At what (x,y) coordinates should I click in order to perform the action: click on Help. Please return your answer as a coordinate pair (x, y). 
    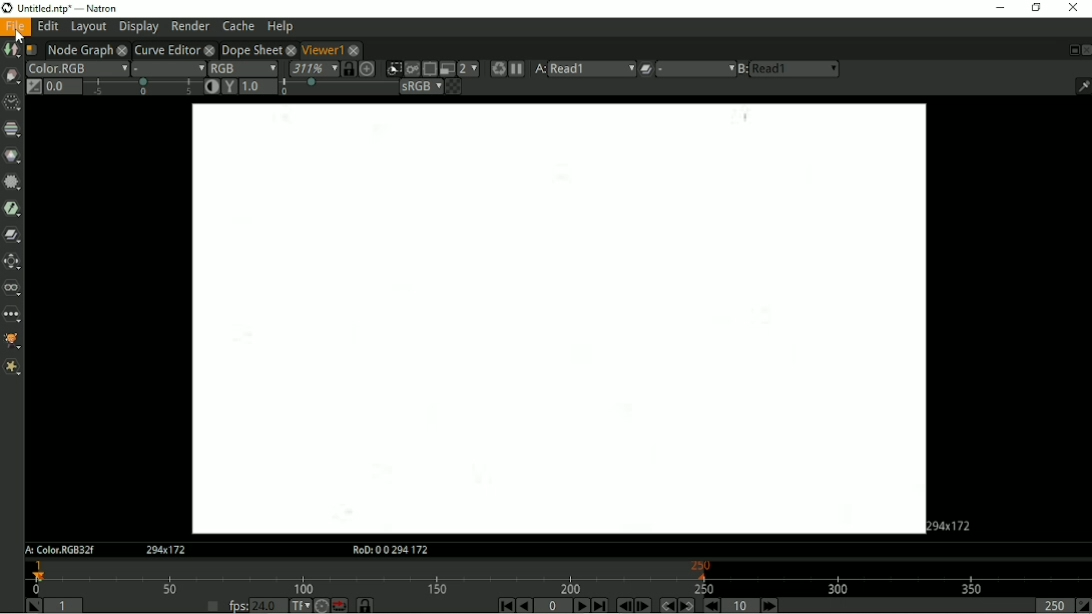
    Looking at the image, I should click on (281, 27).